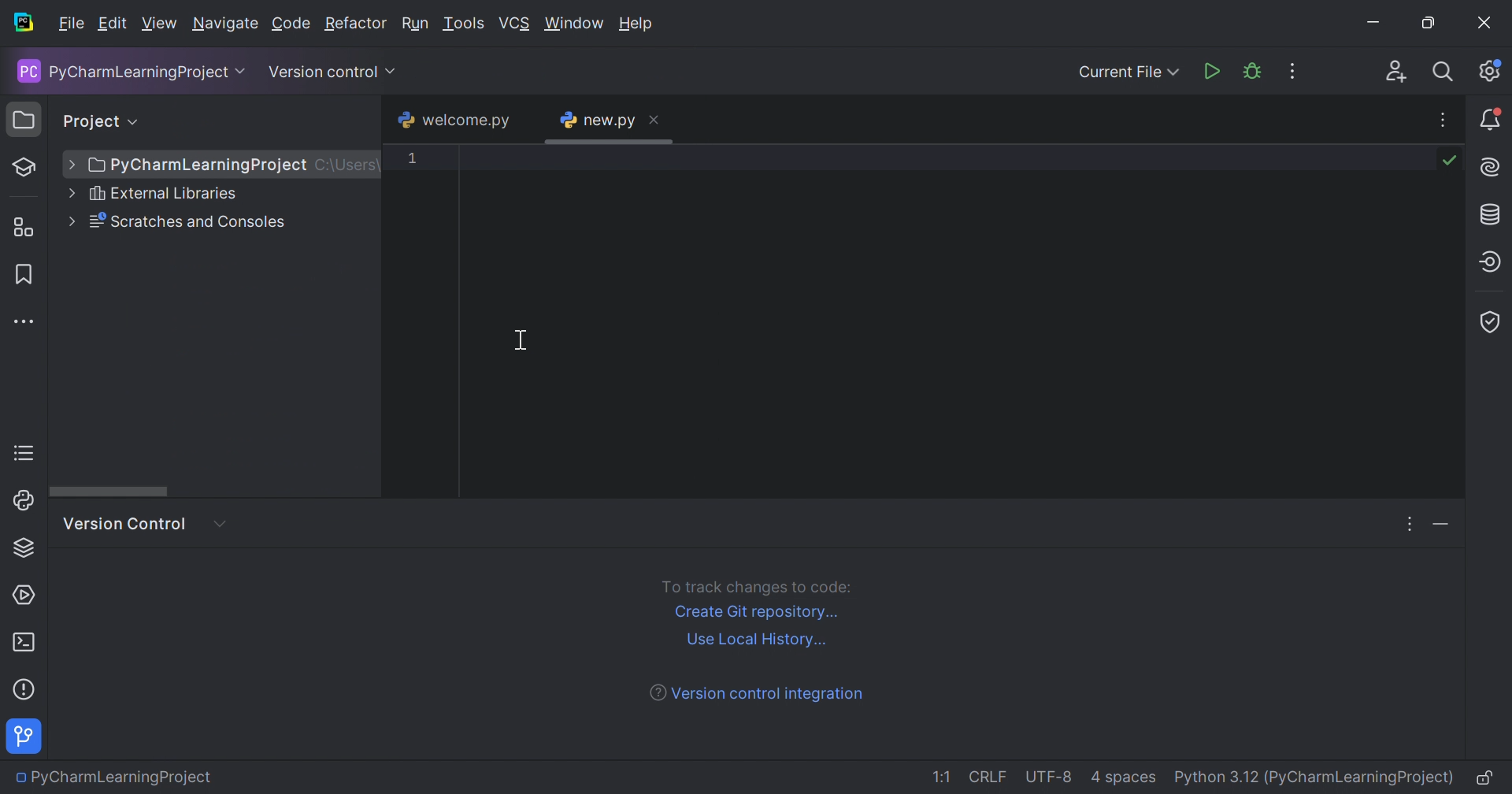 This screenshot has height=794, width=1512. What do you see at coordinates (1124, 777) in the screenshot?
I see `4 spaces` at bounding box center [1124, 777].